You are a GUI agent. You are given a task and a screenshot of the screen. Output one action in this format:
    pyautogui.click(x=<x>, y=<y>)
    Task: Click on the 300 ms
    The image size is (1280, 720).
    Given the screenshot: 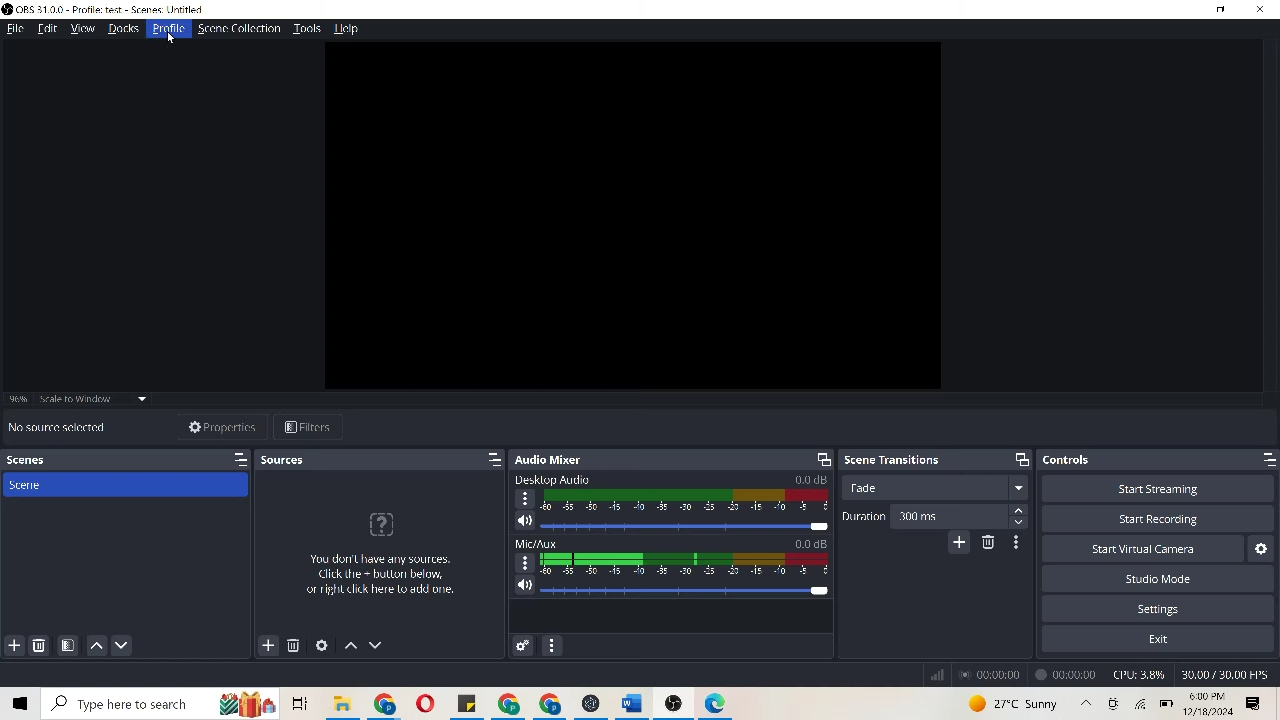 What is the action you would take?
    pyautogui.click(x=965, y=516)
    